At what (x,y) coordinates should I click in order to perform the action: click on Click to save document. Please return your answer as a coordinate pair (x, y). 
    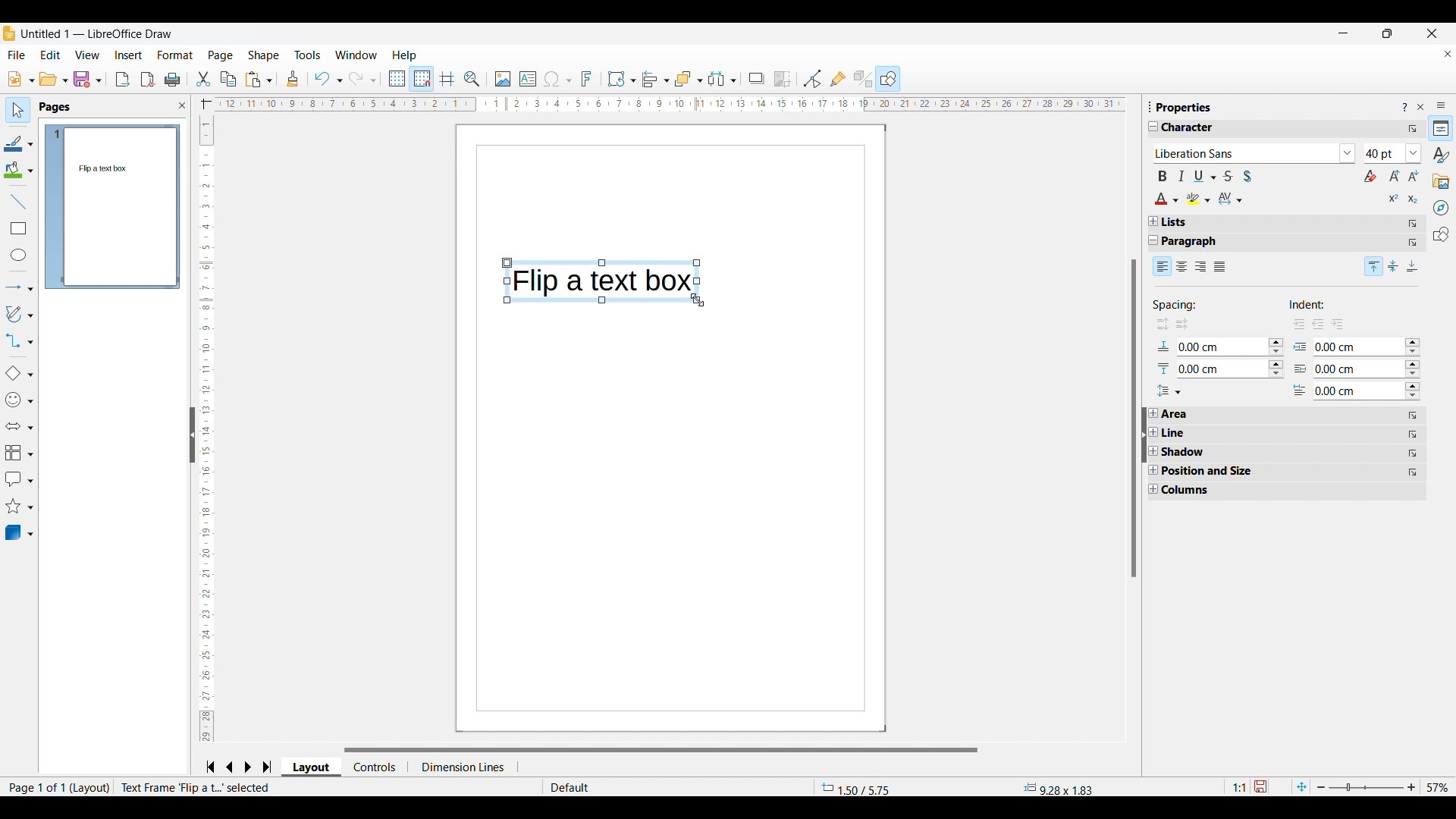
    Looking at the image, I should click on (1260, 786).